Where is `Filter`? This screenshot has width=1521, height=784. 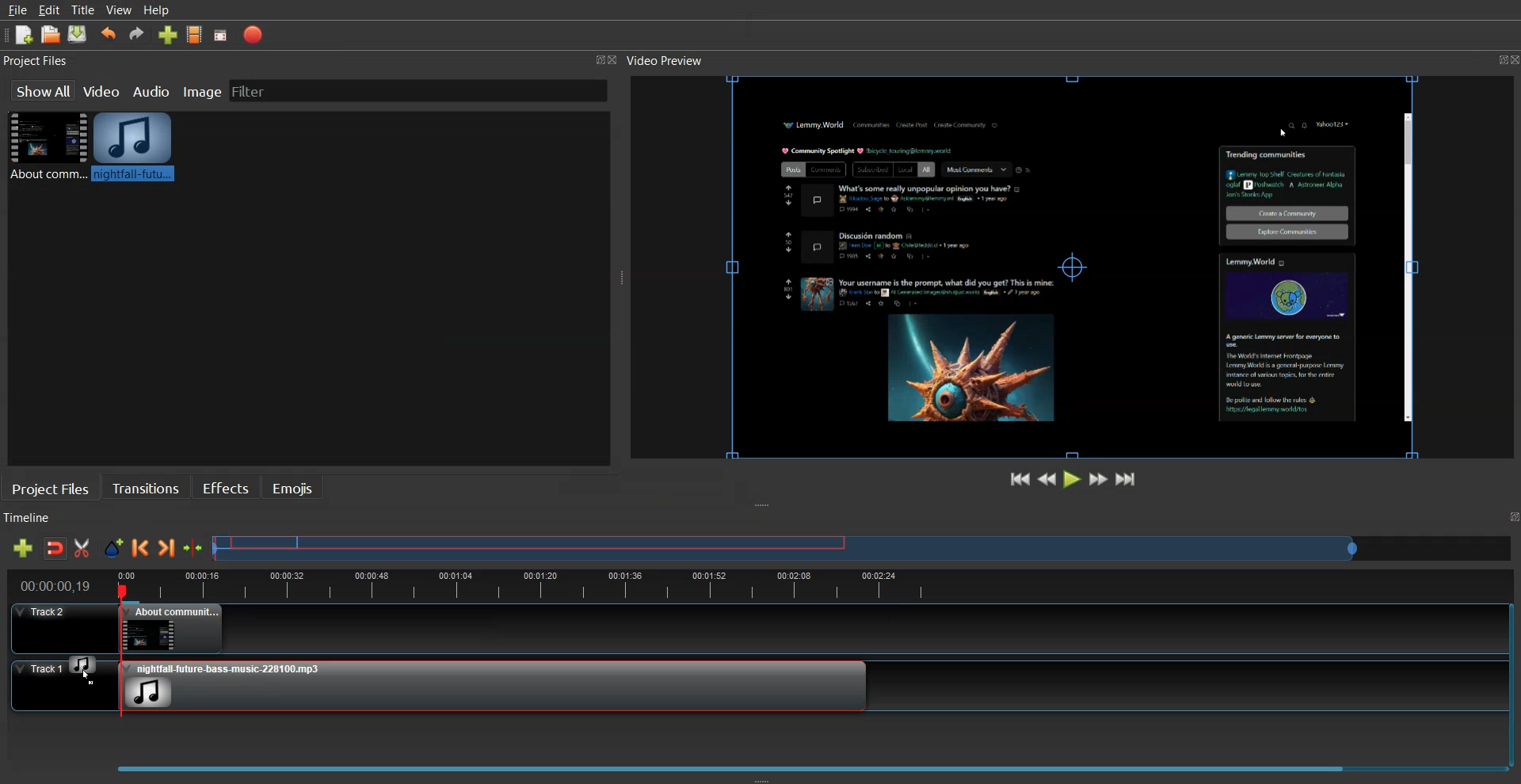 Filter is located at coordinates (262, 90).